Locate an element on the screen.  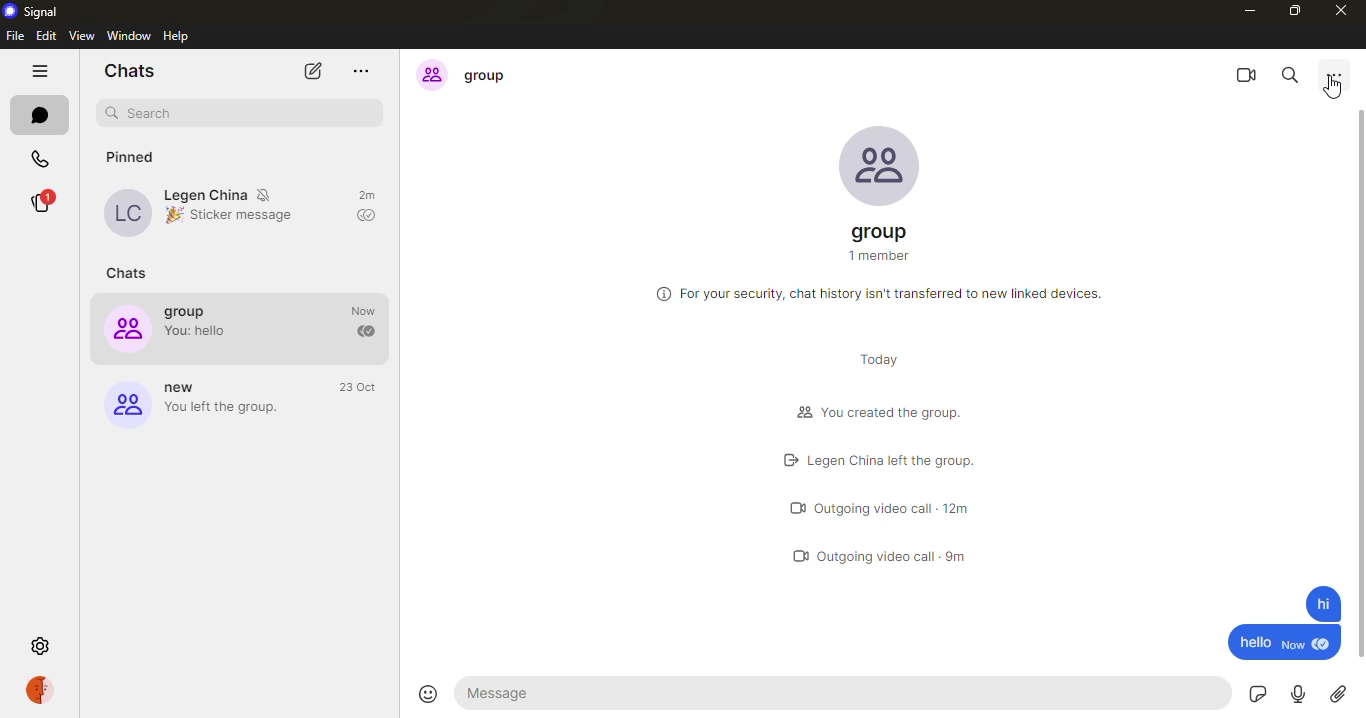
maximize is located at coordinates (1293, 8).